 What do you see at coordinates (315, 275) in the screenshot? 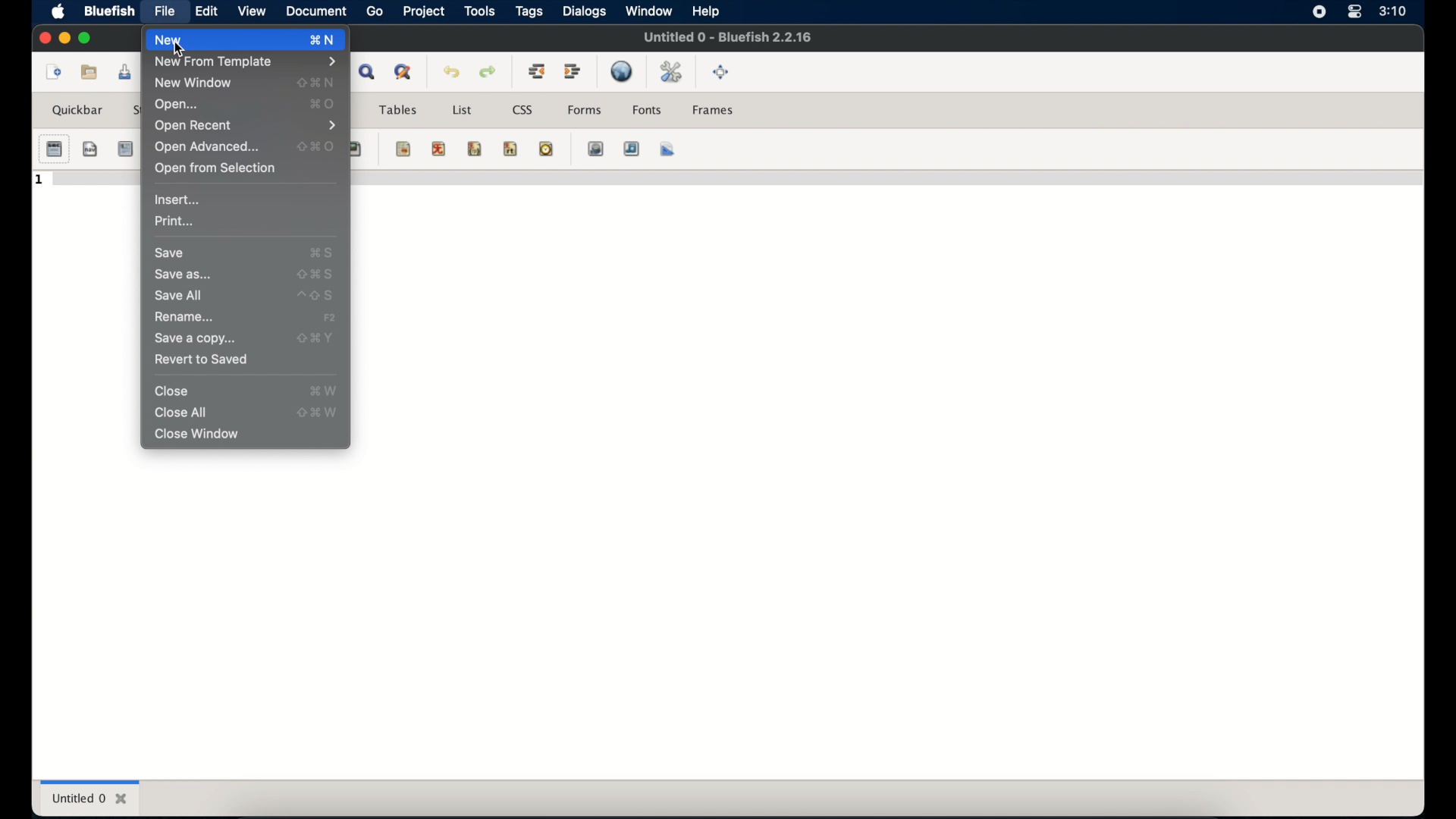
I see `save as shortcut` at bounding box center [315, 275].